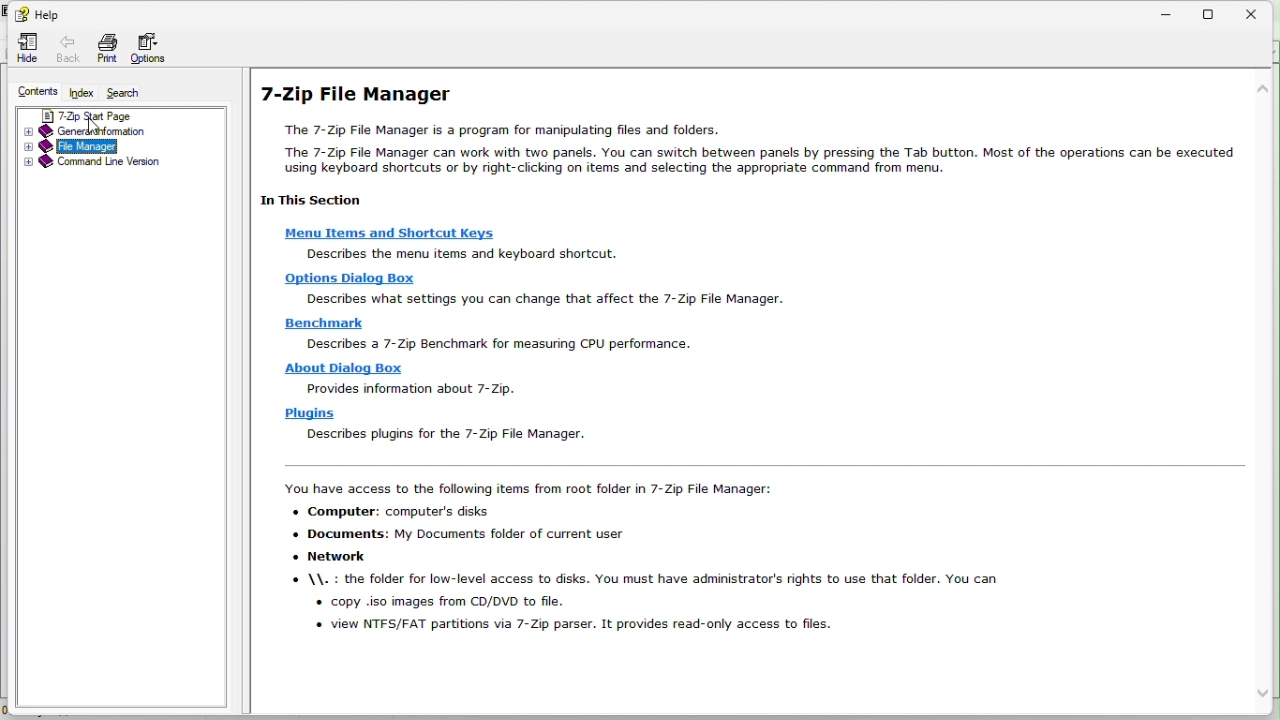  Describe the element at coordinates (115, 147) in the screenshot. I see `File manager` at that location.